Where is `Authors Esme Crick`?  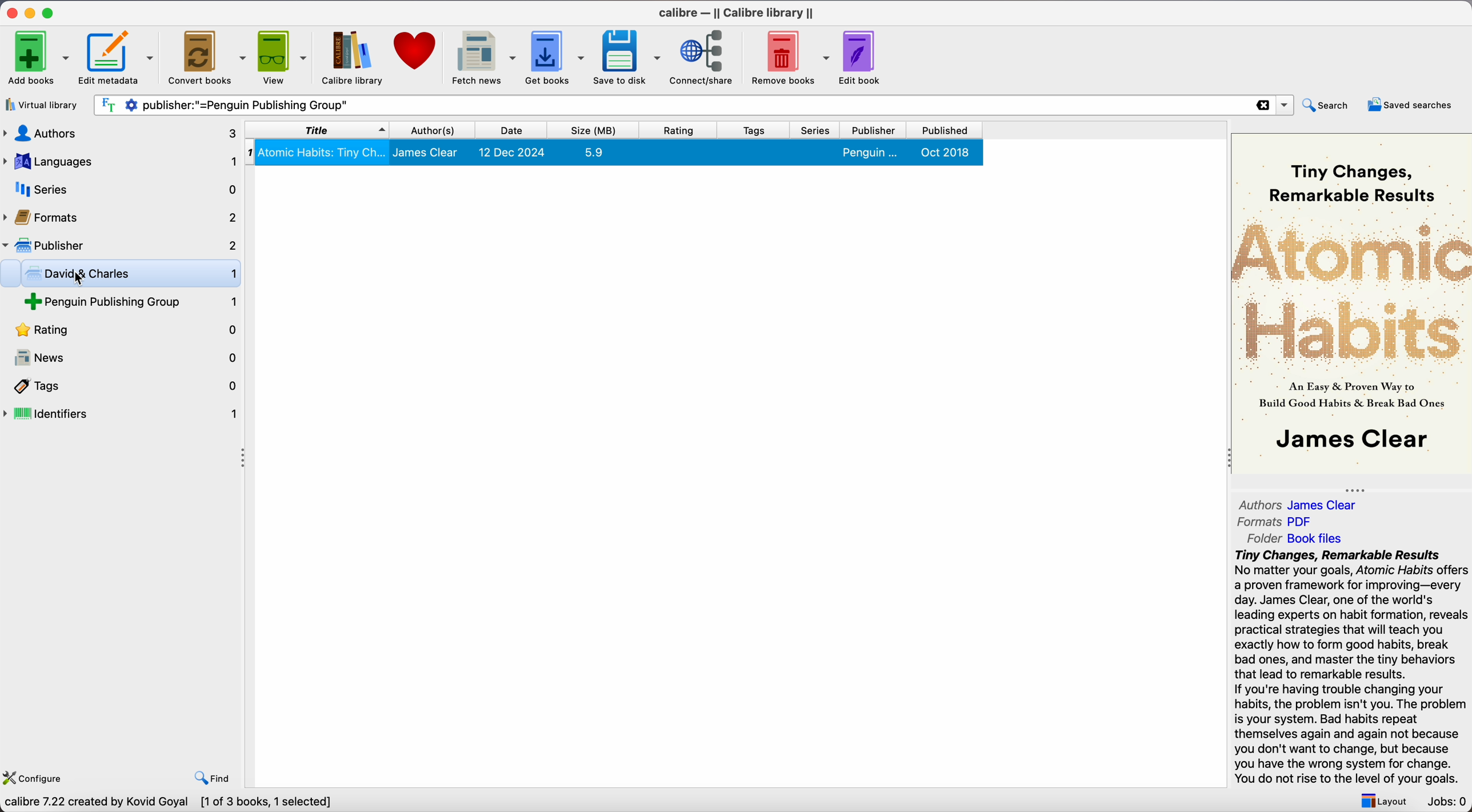
Authors Esme Crick is located at coordinates (1301, 503).